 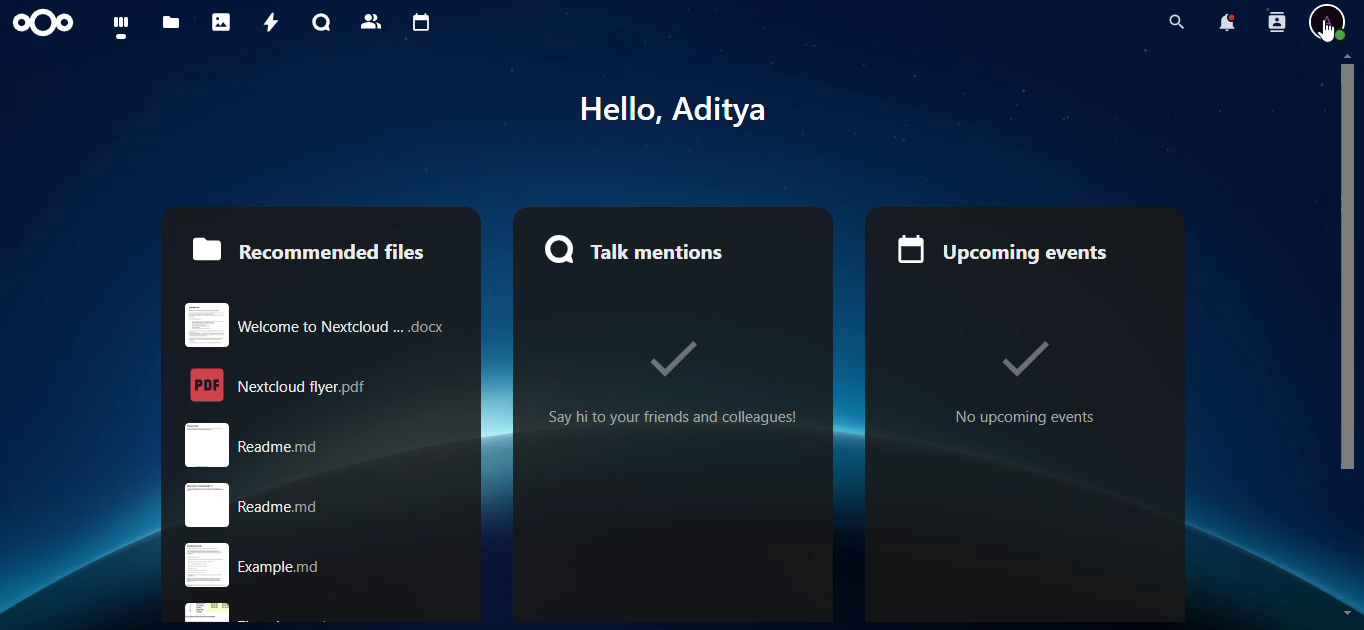 What do you see at coordinates (1171, 22) in the screenshot?
I see `search` at bounding box center [1171, 22].